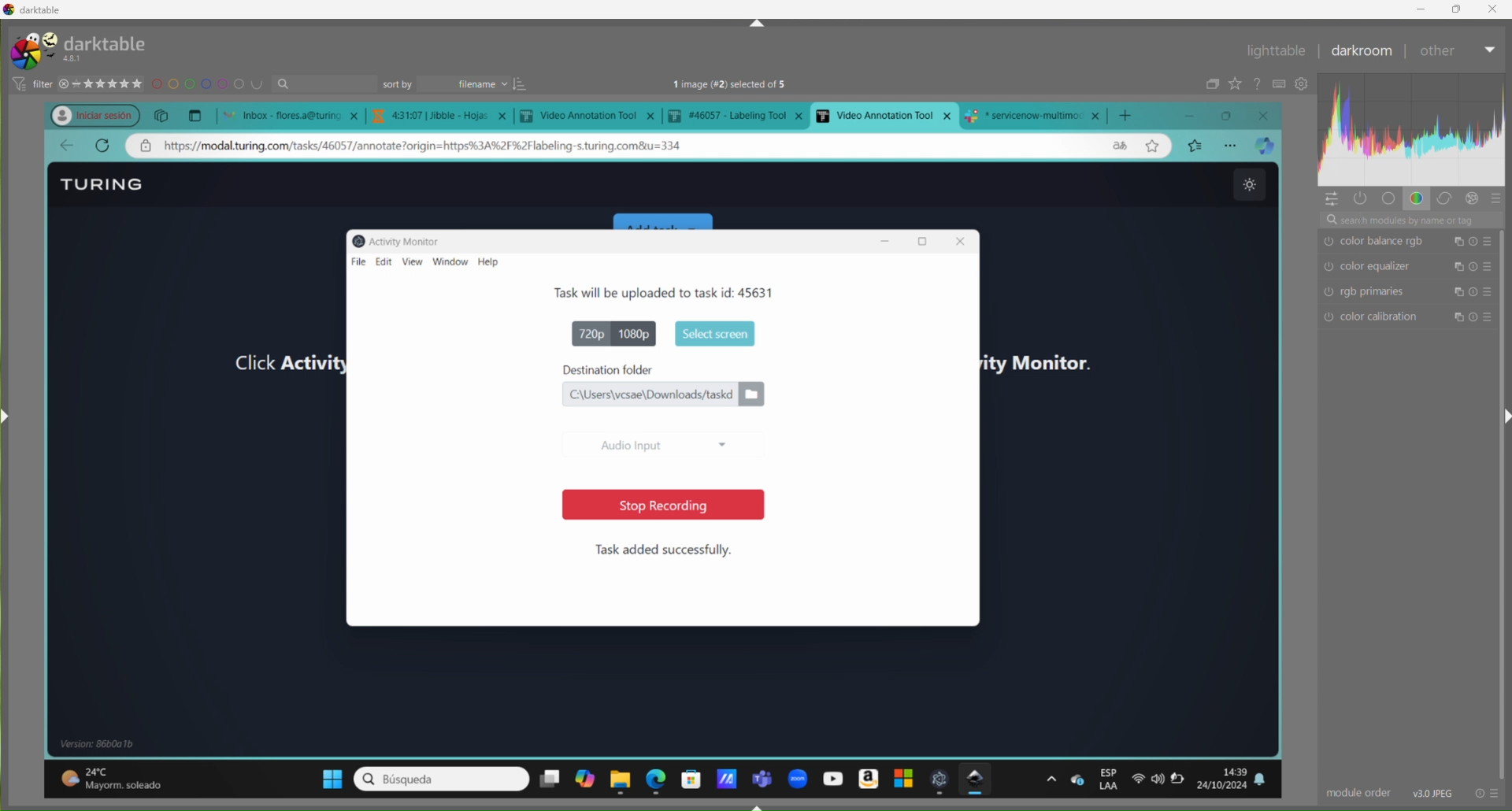  What do you see at coordinates (195, 114) in the screenshot?
I see `New tab` at bounding box center [195, 114].